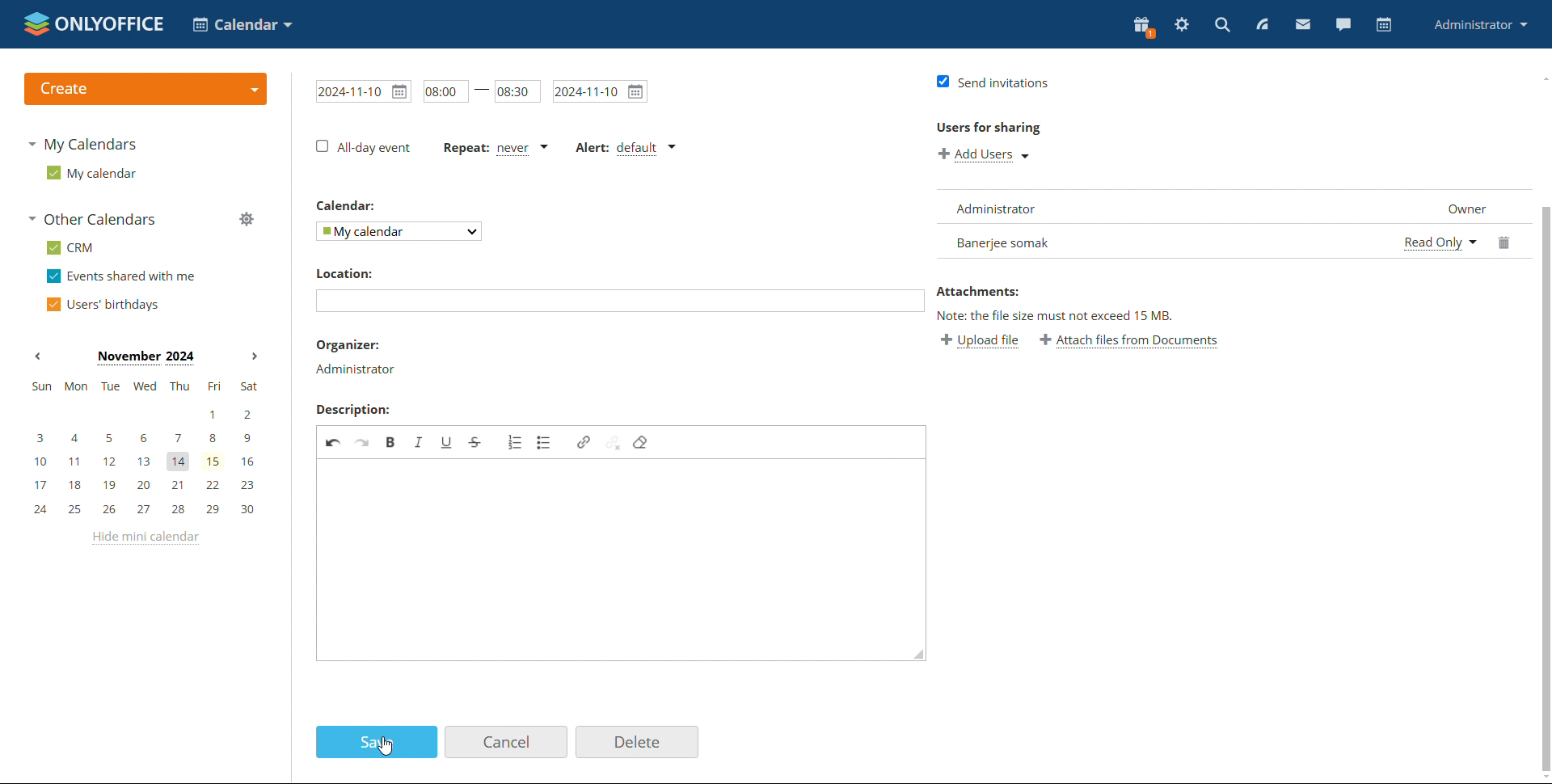 Image resolution: width=1552 pixels, height=784 pixels. I want to click on delete, so click(638, 743).